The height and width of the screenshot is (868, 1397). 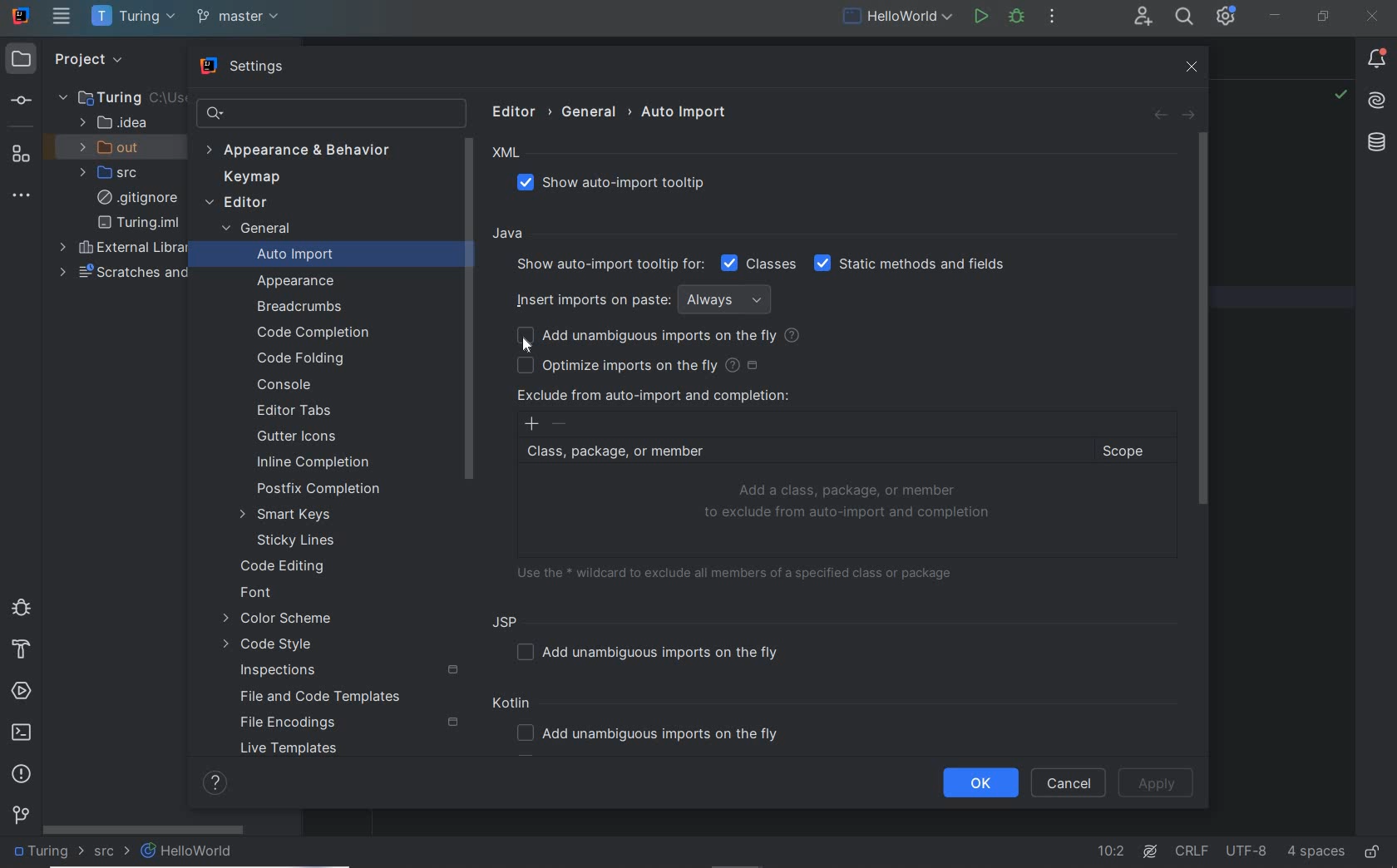 What do you see at coordinates (273, 646) in the screenshot?
I see `CODE STYLE` at bounding box center [273, 646].